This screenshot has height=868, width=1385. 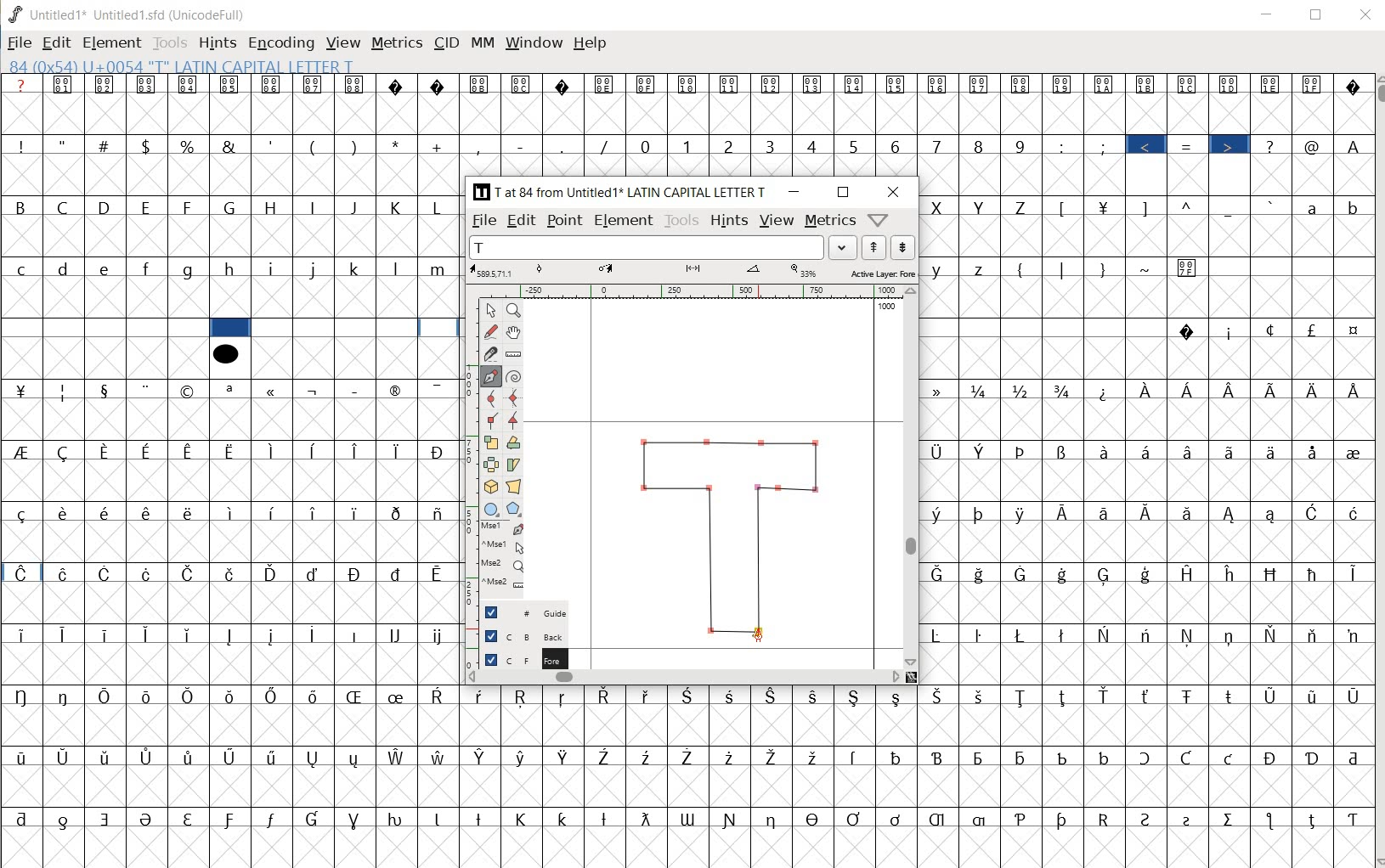 I want to click on metrics, so click(x=829, y=223).